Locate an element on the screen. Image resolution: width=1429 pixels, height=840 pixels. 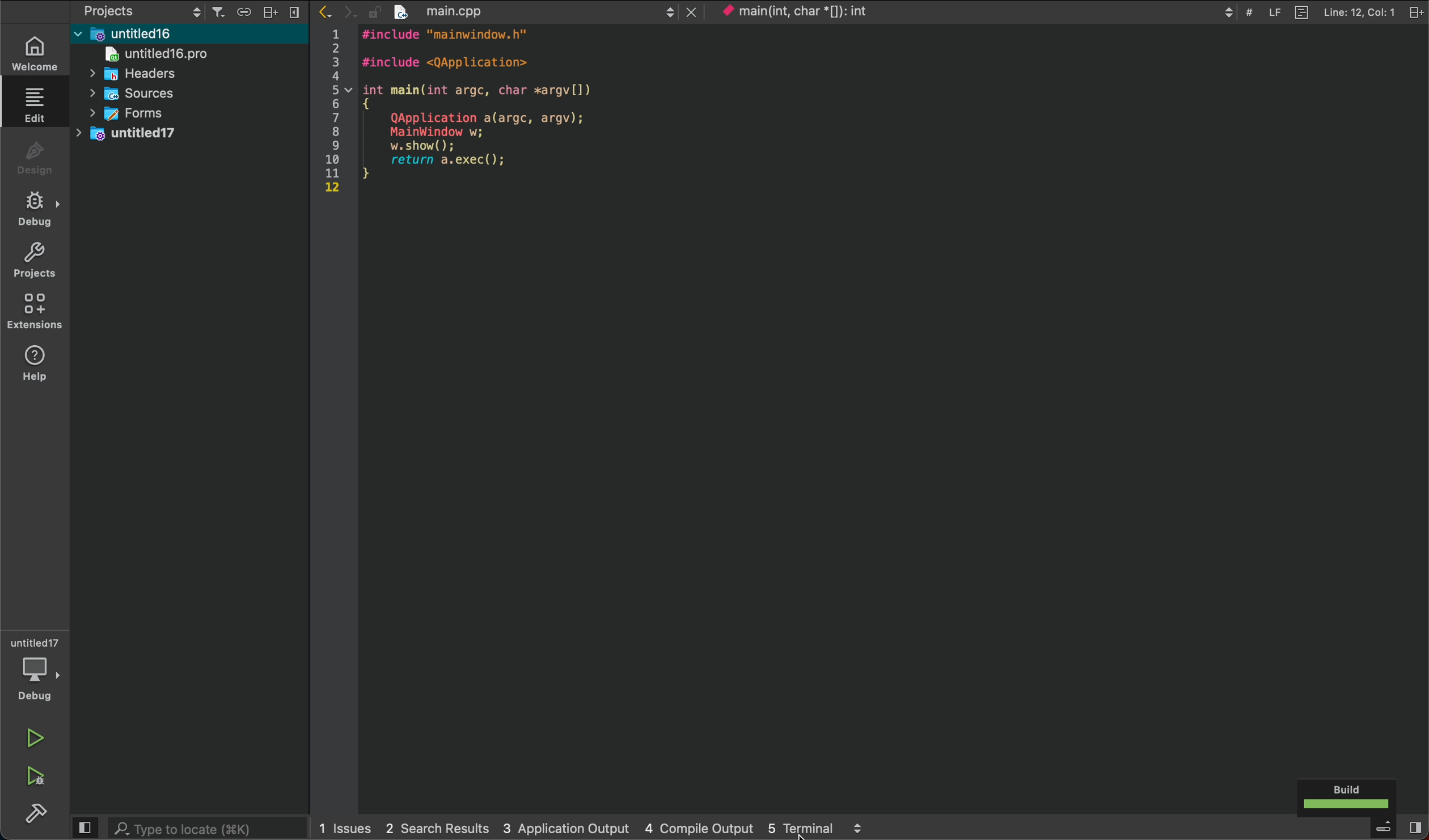
Search Results is located at coordinates (434, 827).